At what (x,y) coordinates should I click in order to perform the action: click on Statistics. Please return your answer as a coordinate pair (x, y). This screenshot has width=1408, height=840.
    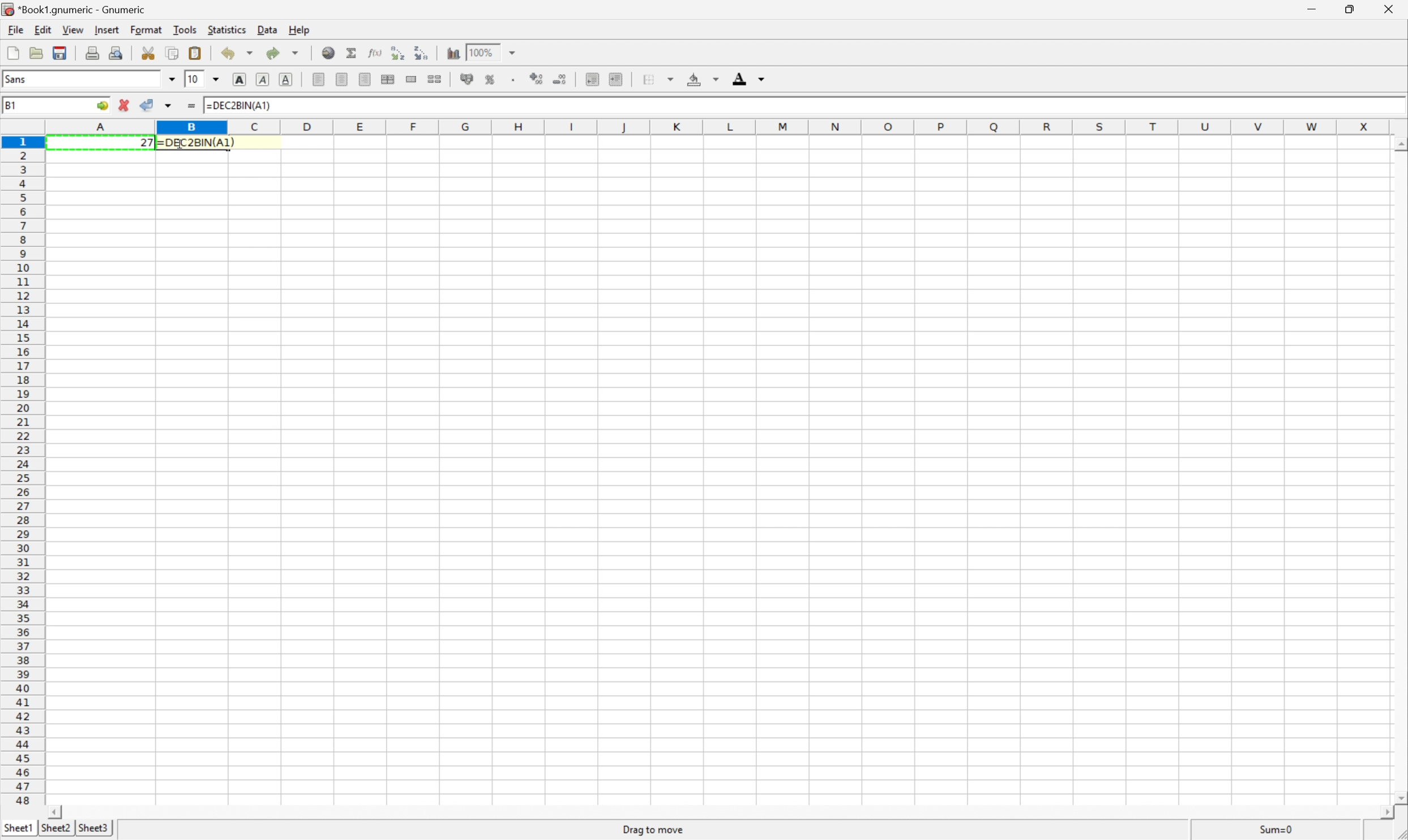
    Looking at the image, I should click on (227, 29).